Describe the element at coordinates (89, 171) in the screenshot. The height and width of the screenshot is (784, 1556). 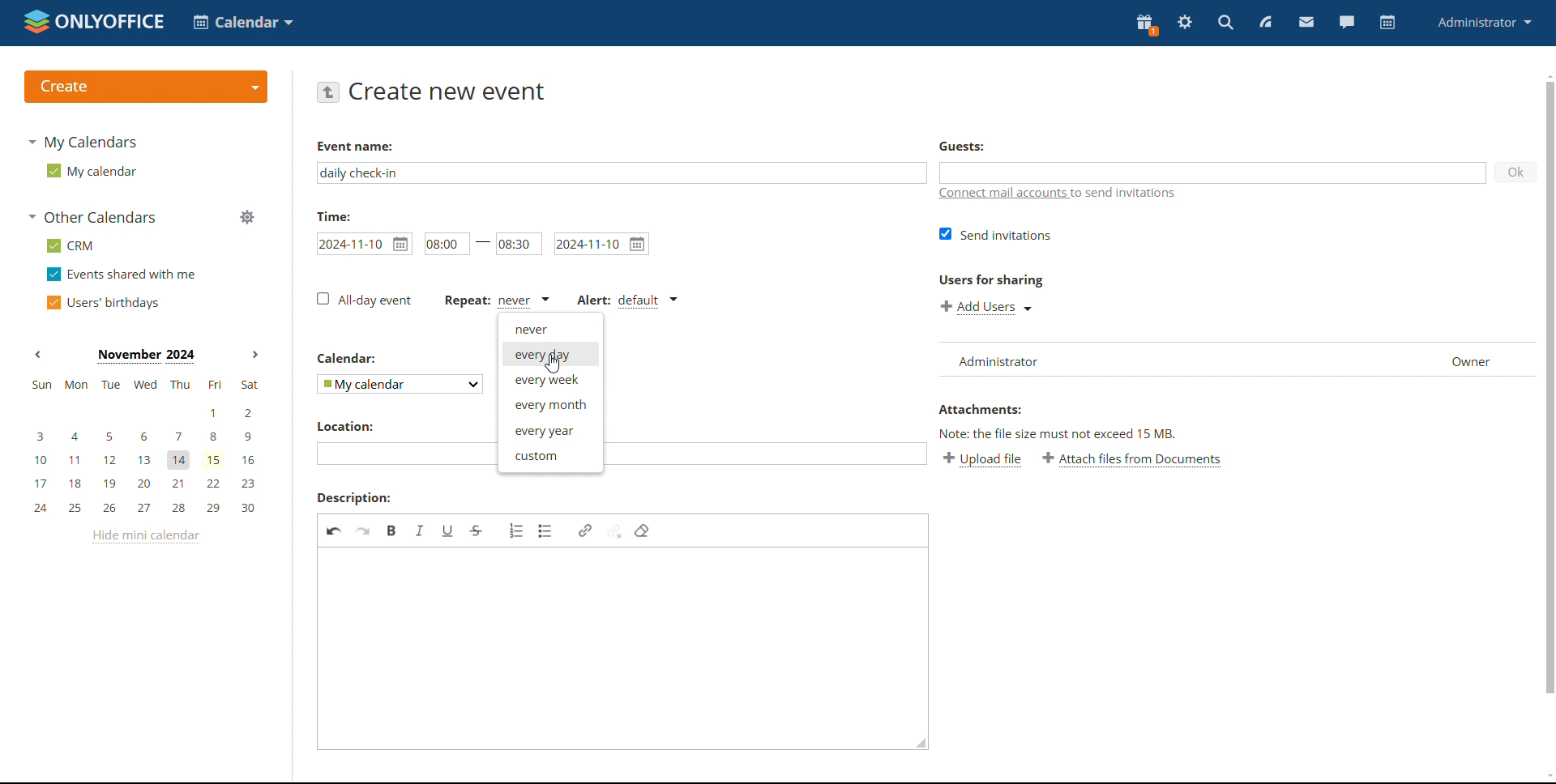
I see `my calendar` at that location.